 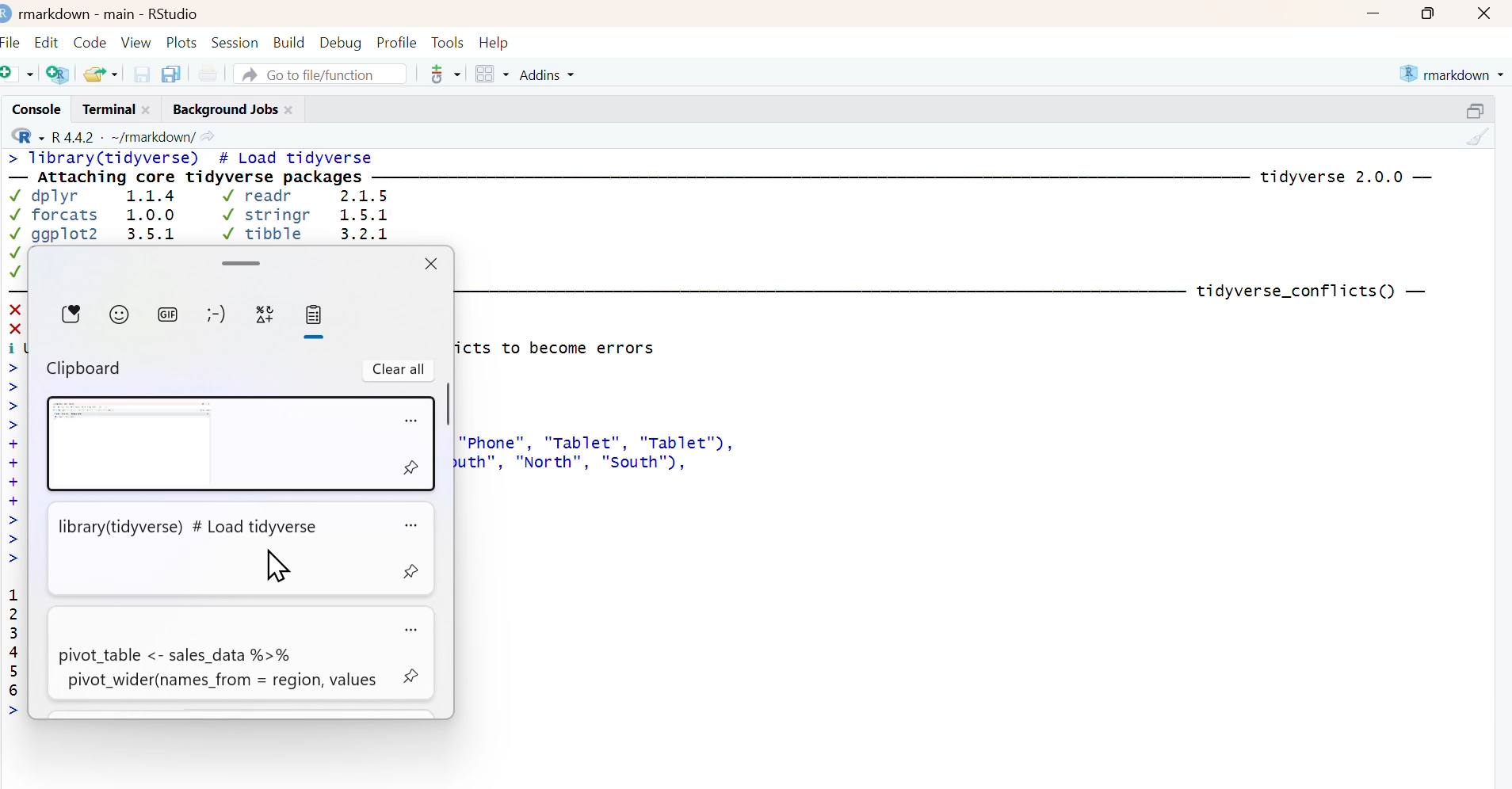 What do you see at coordinates (1480, 108) in the screenshot?
I see `resize` at bounding box center [1480, 108].